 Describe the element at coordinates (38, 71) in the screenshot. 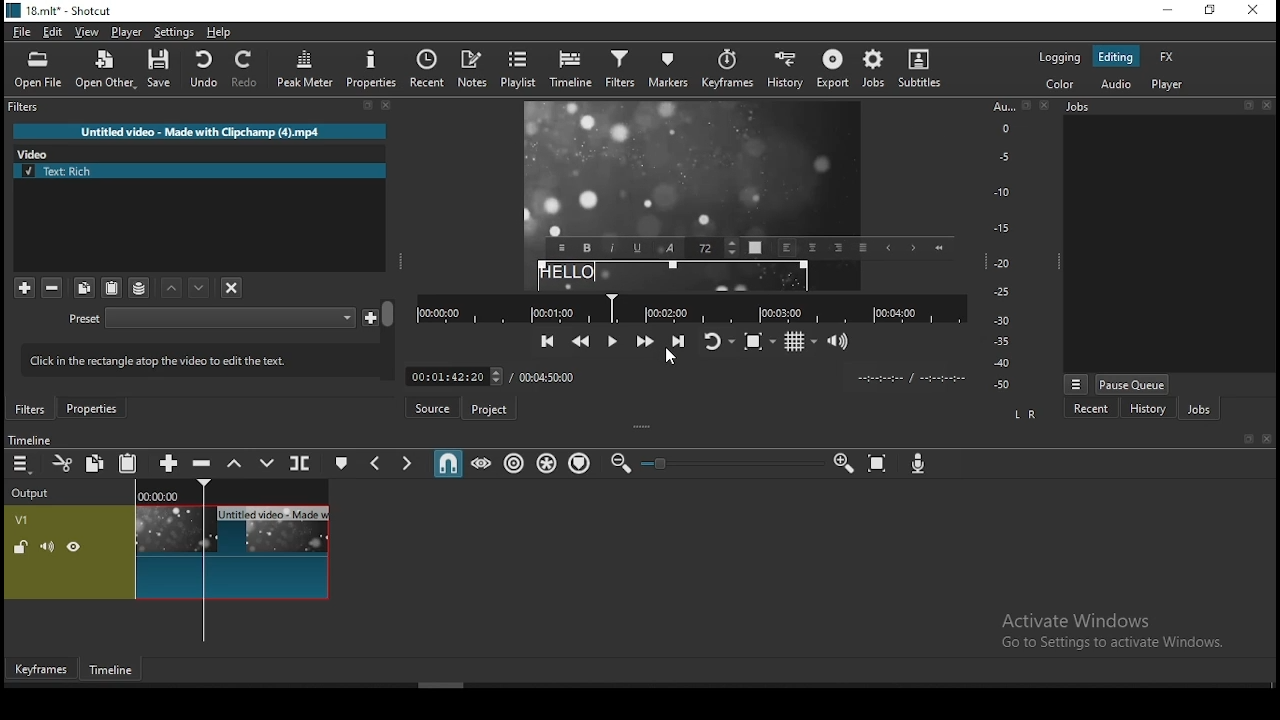

I see `open file` at that location.